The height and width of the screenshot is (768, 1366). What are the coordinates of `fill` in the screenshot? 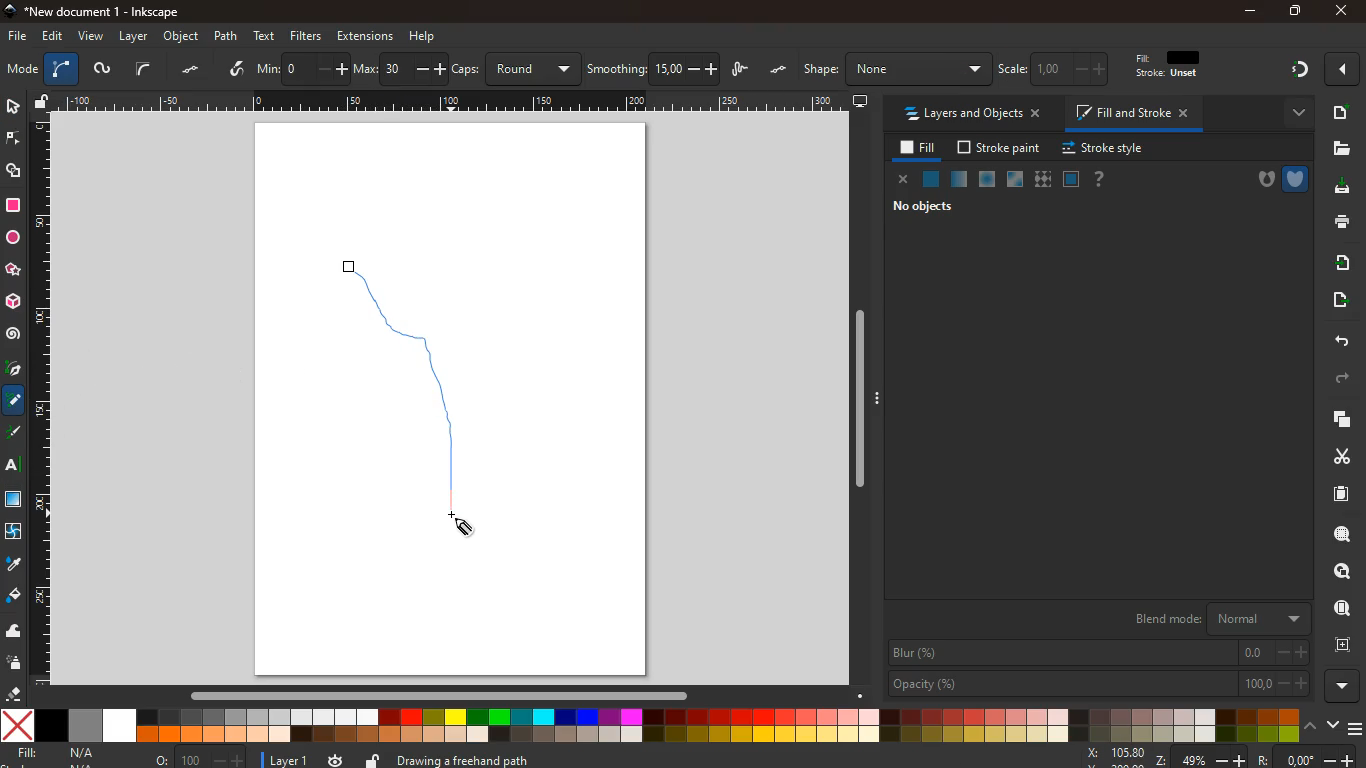 It's located at (914, 148).